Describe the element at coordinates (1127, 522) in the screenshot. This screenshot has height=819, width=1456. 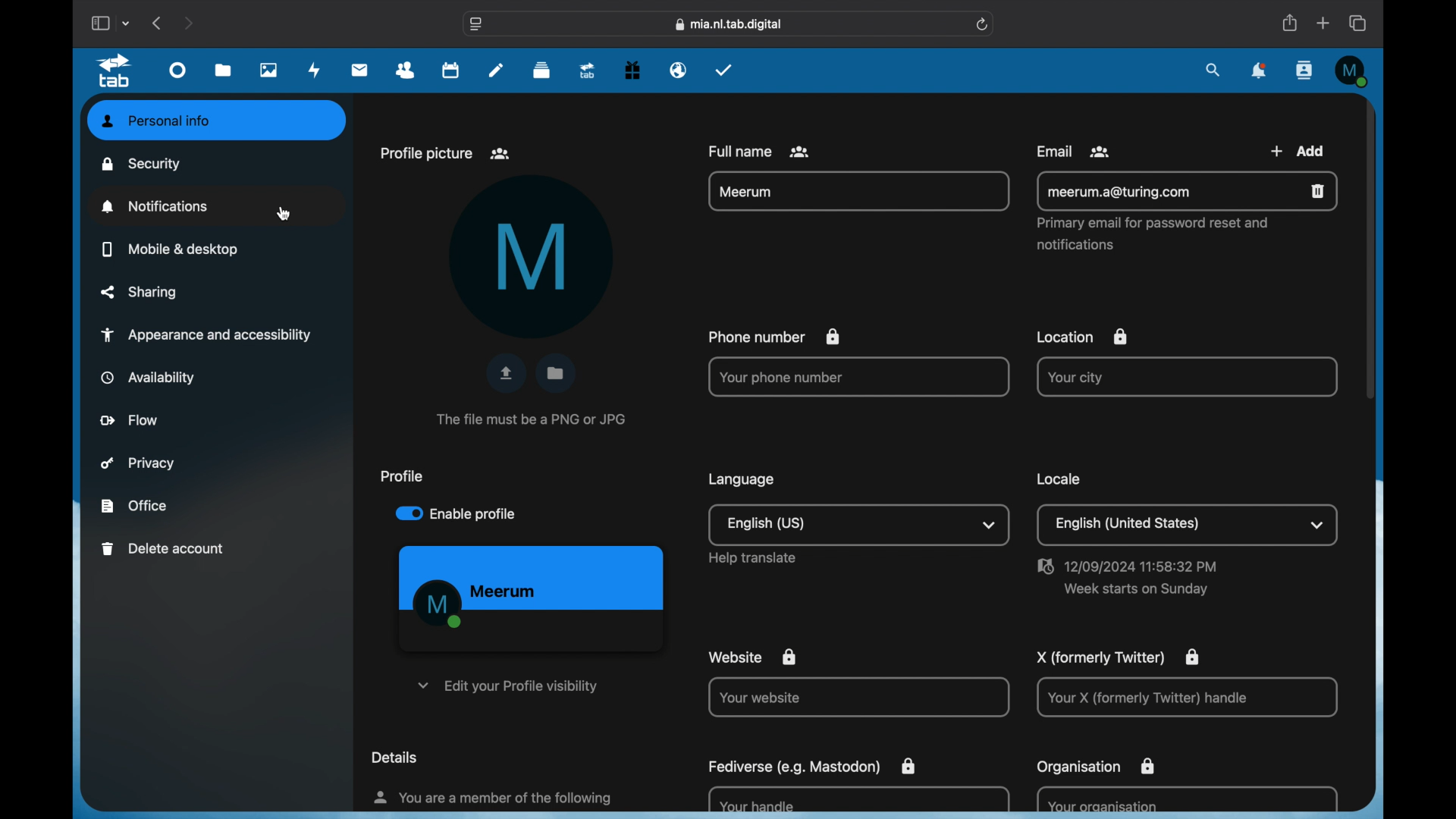
I see `english` at that location.